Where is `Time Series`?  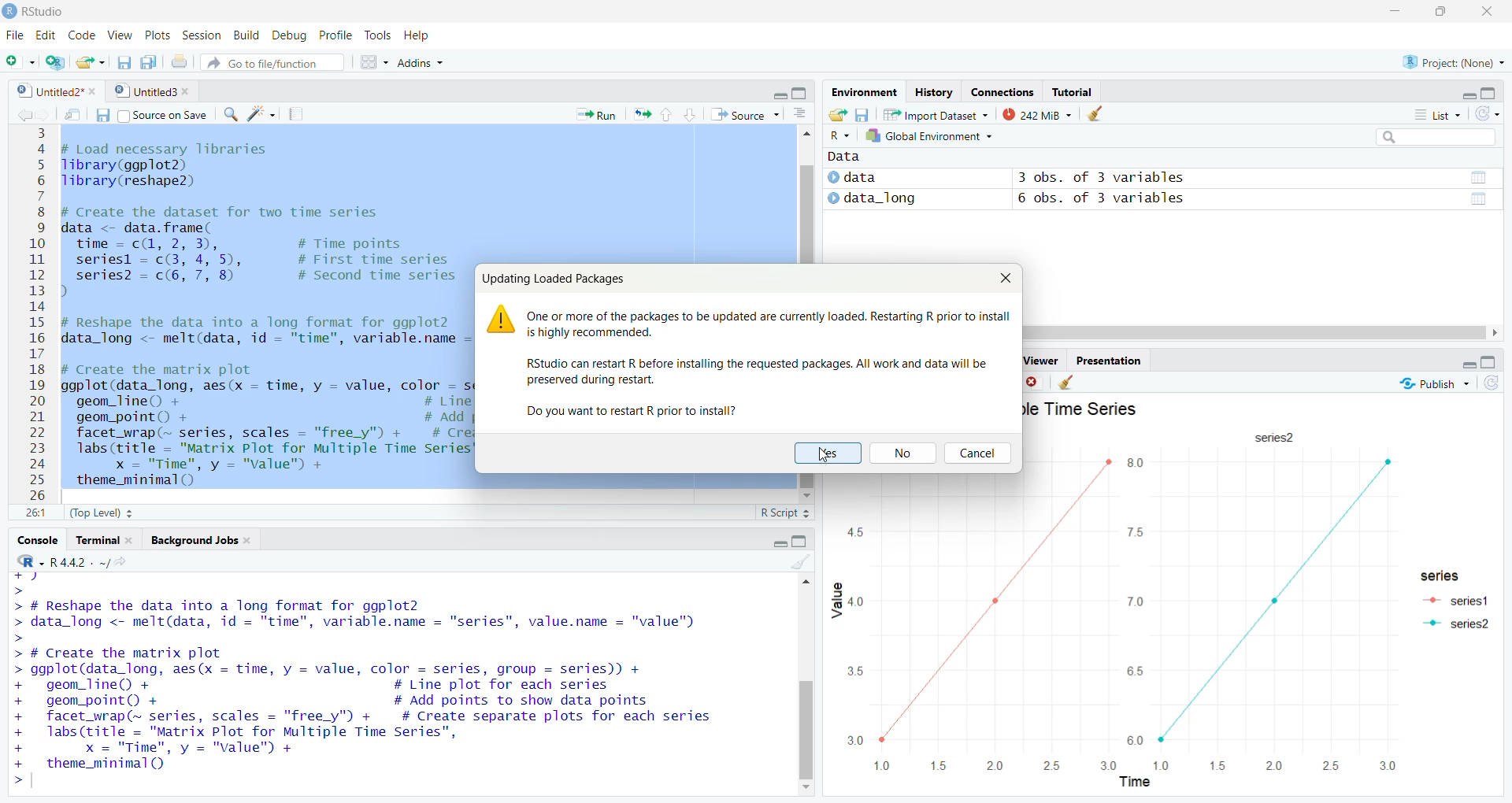 Time Series is located at coordinates (1084, 409).